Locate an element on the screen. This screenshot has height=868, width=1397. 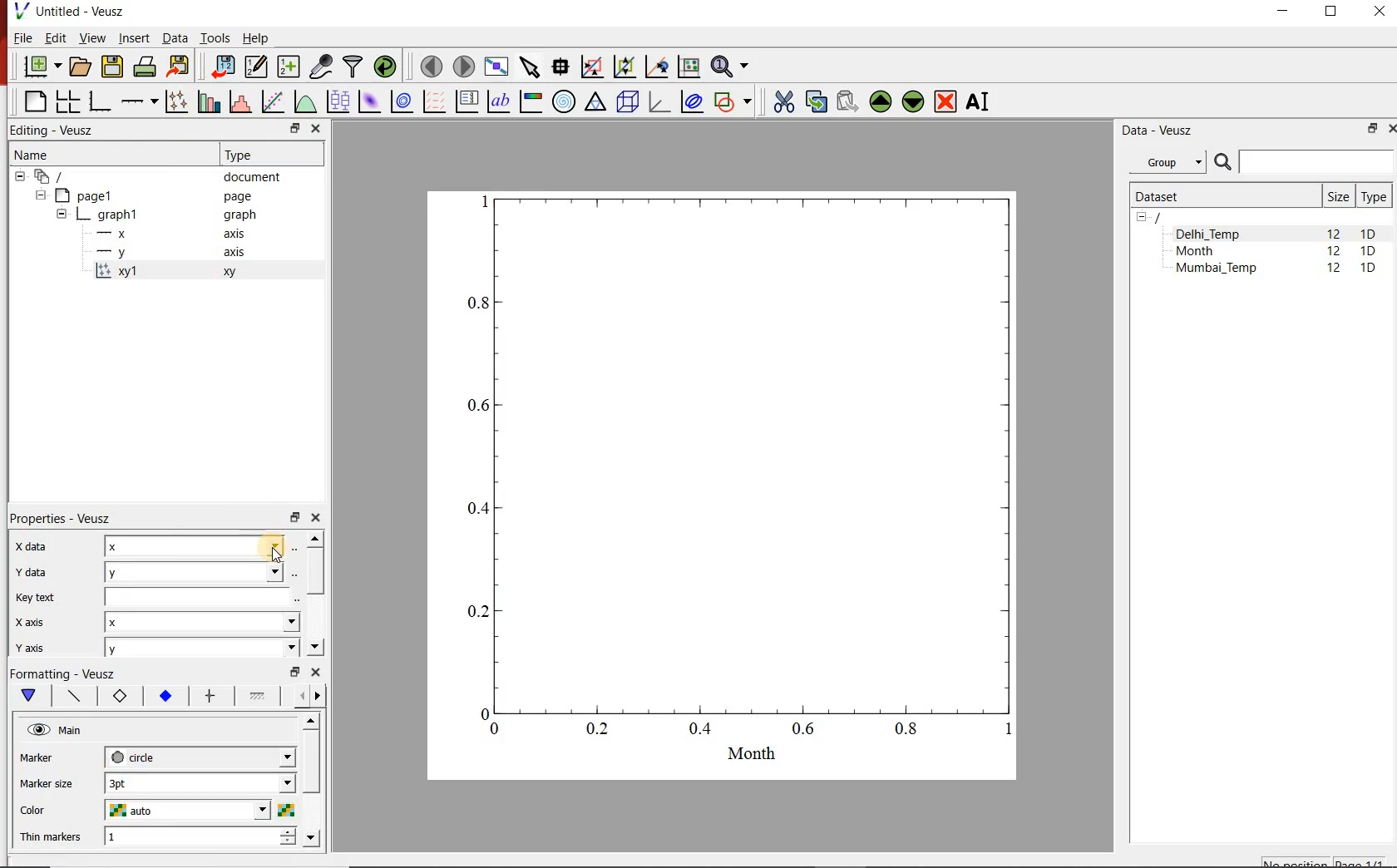
plot a 2d dataset as an image is located at coordinates (371, 101).